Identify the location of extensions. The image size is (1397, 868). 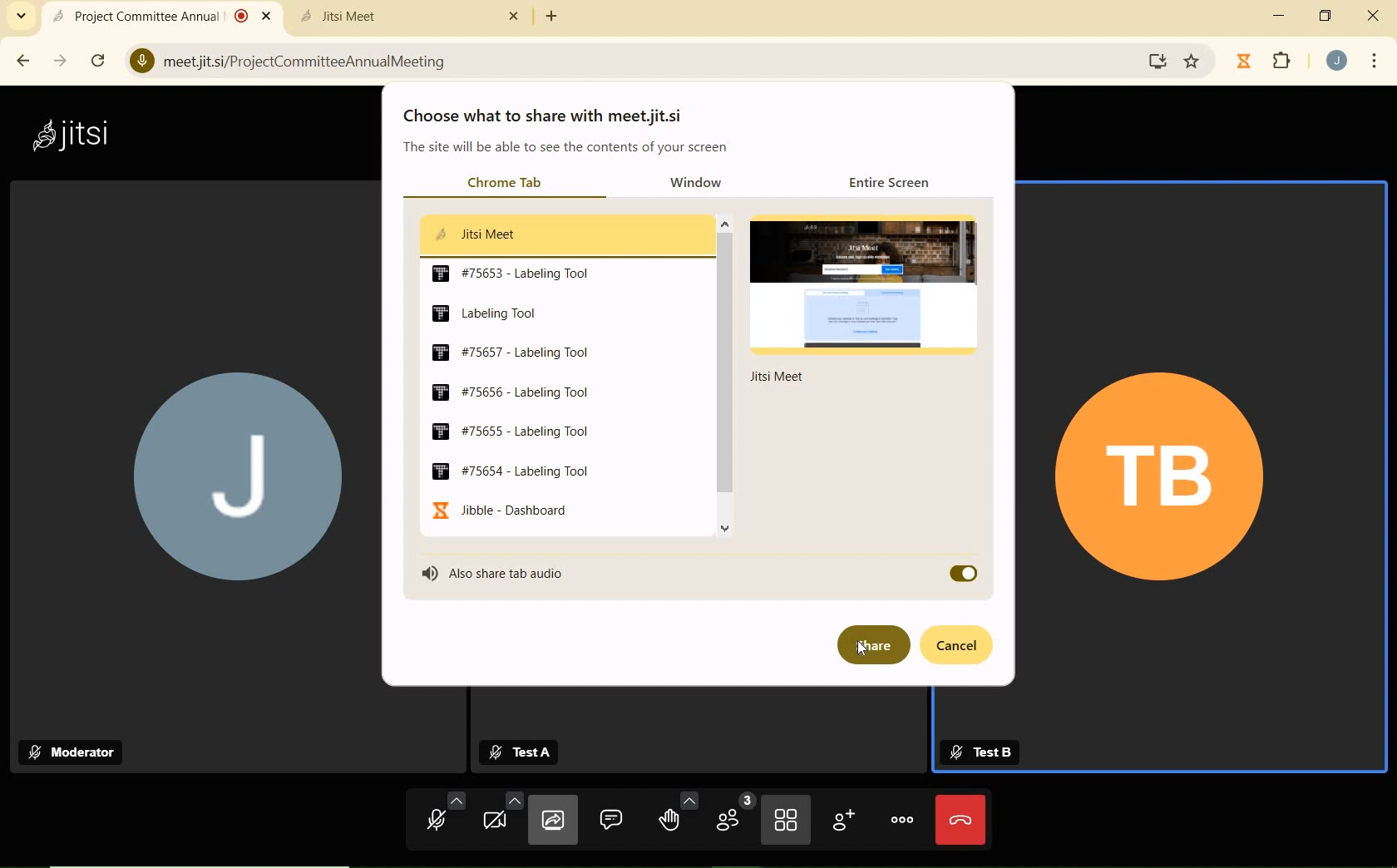
(1283, 62).